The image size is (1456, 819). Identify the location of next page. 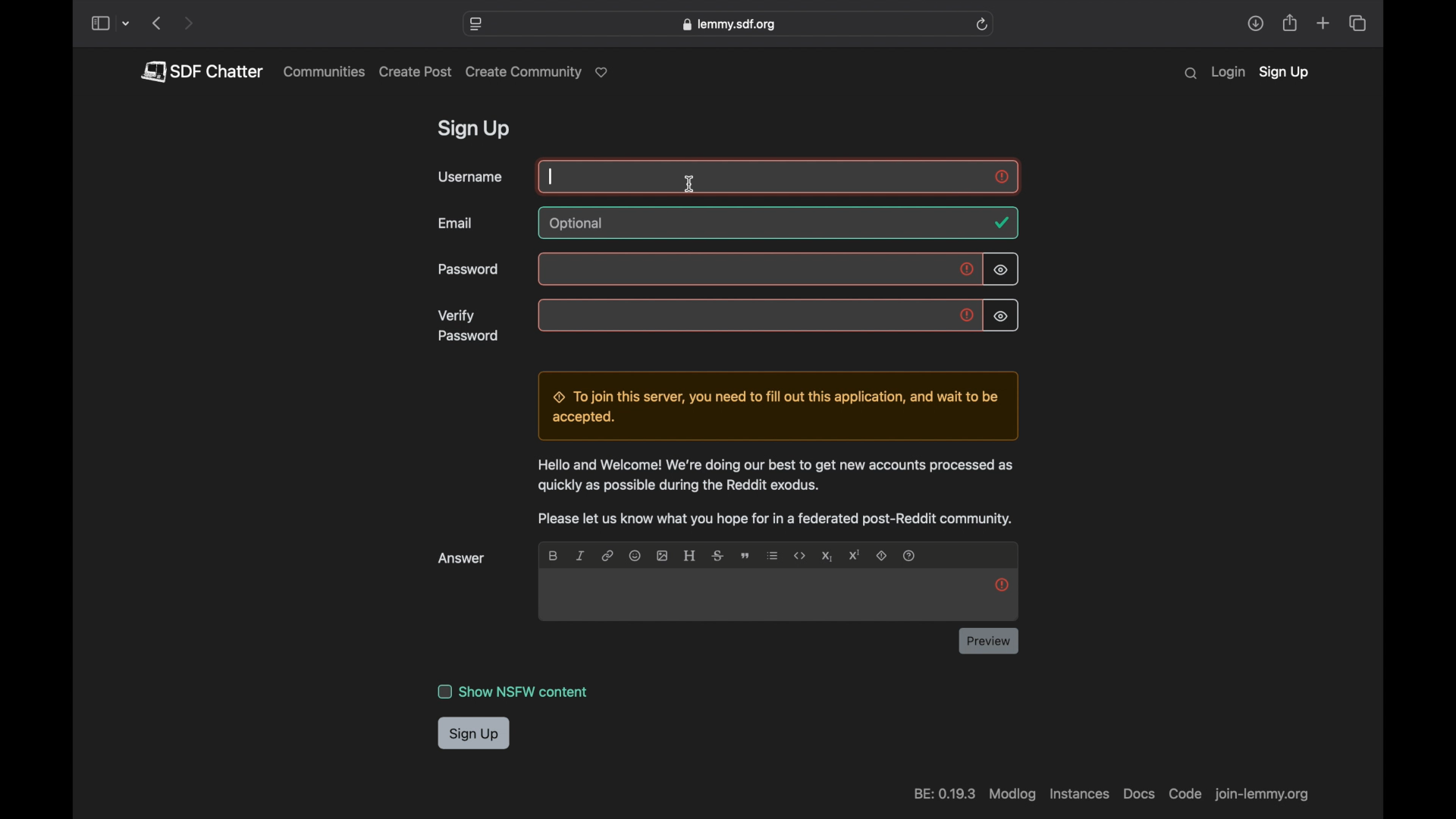
(188, 24).